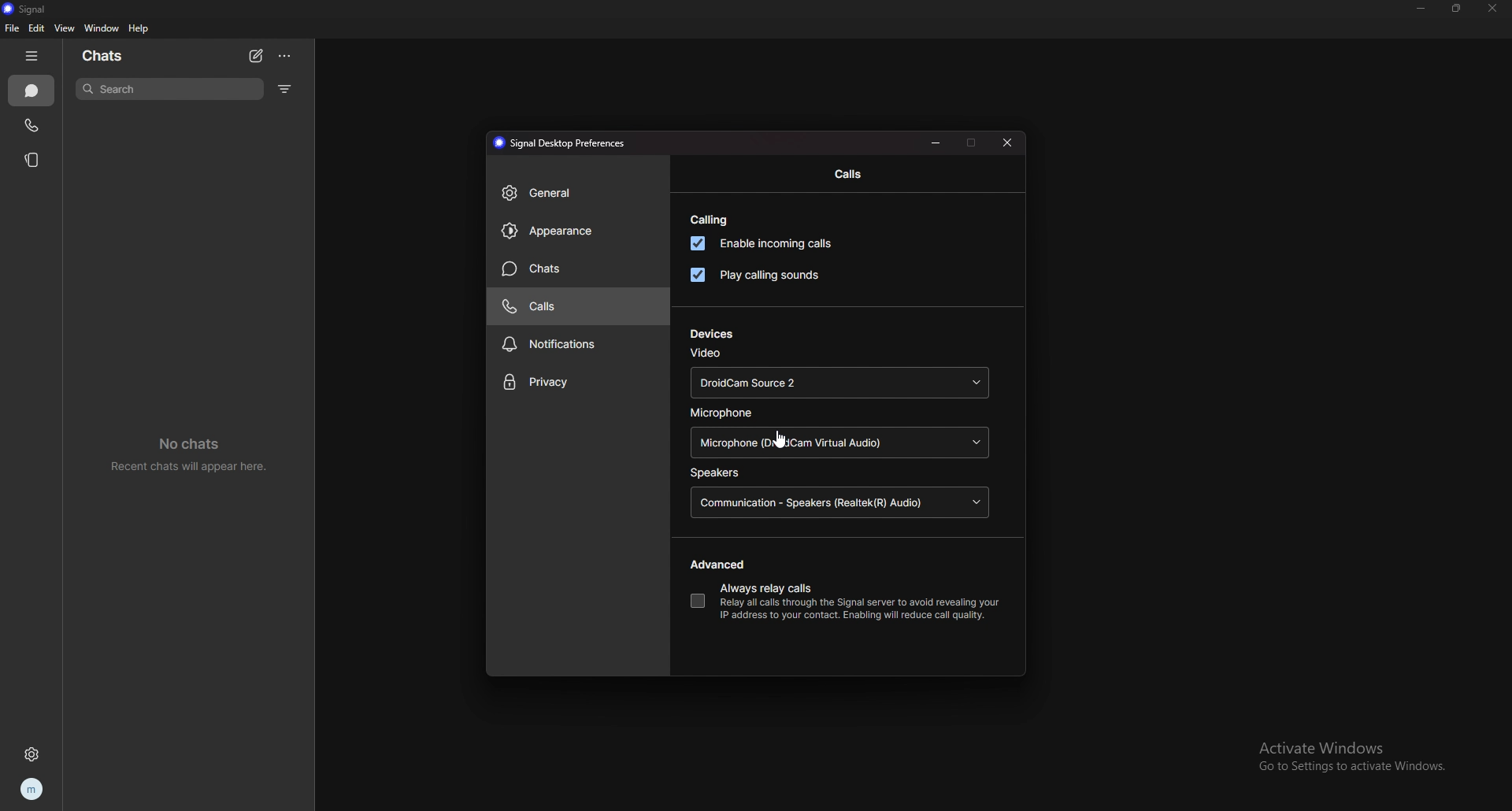 This screenshot has width=1512, height=811. Describe the element at coordinates (139, 29) in the screenshot. I see `help` at that location.